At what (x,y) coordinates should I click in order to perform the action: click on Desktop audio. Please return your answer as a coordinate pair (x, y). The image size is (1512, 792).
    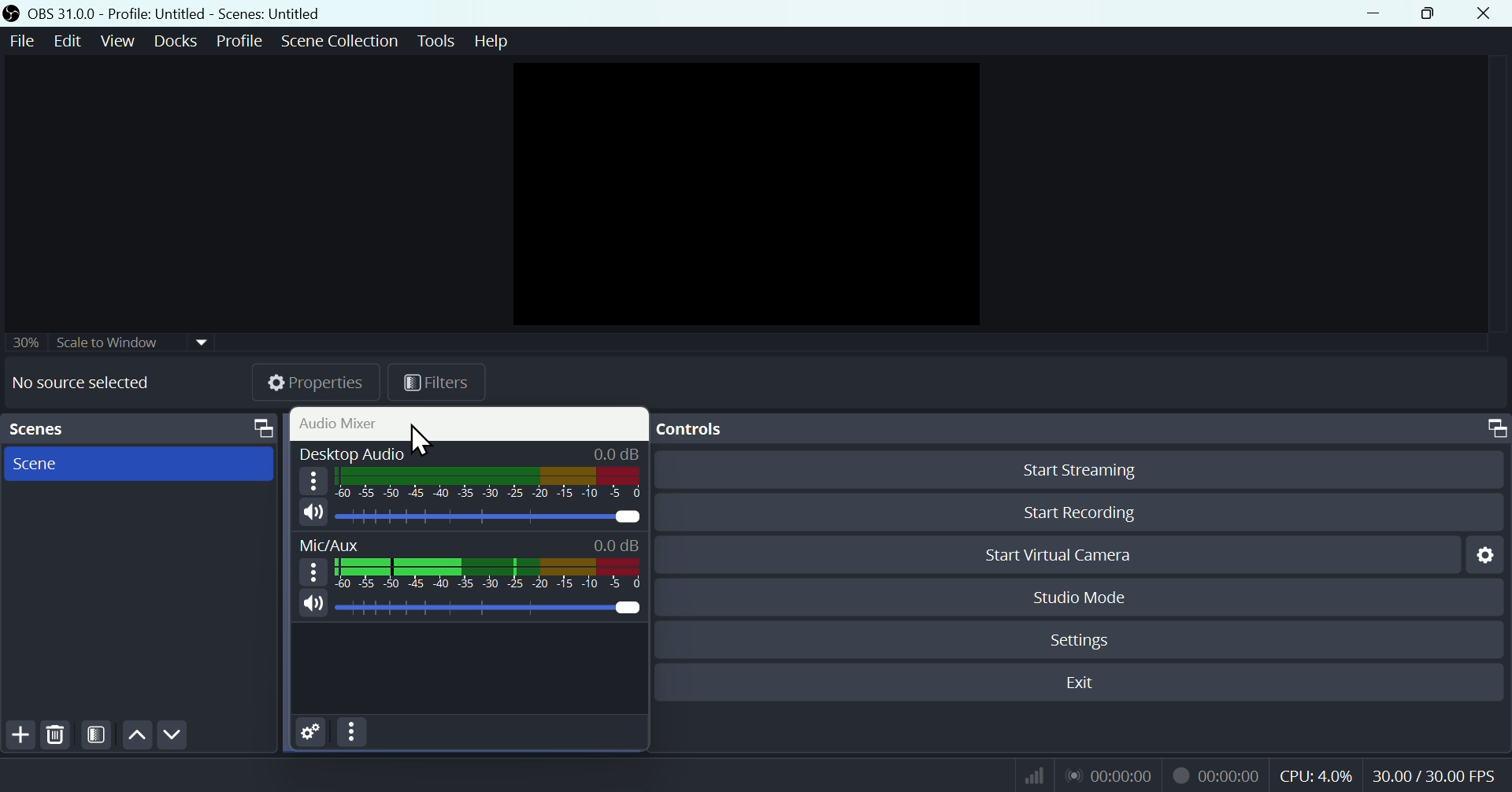
    Looking at the image, I should click on (350, 451).